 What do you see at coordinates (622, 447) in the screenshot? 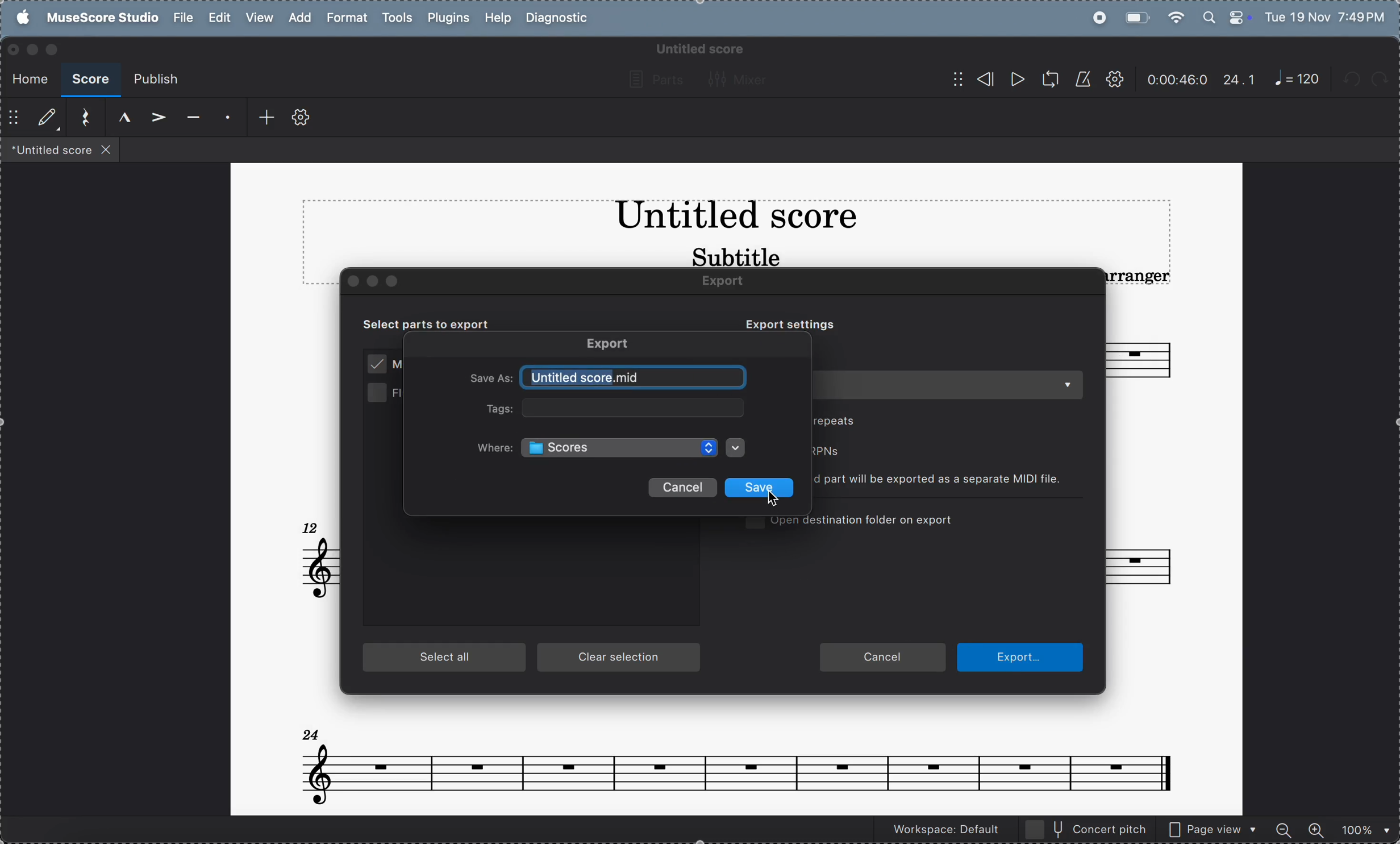
I see `file location` at bounding box center [622, 447].